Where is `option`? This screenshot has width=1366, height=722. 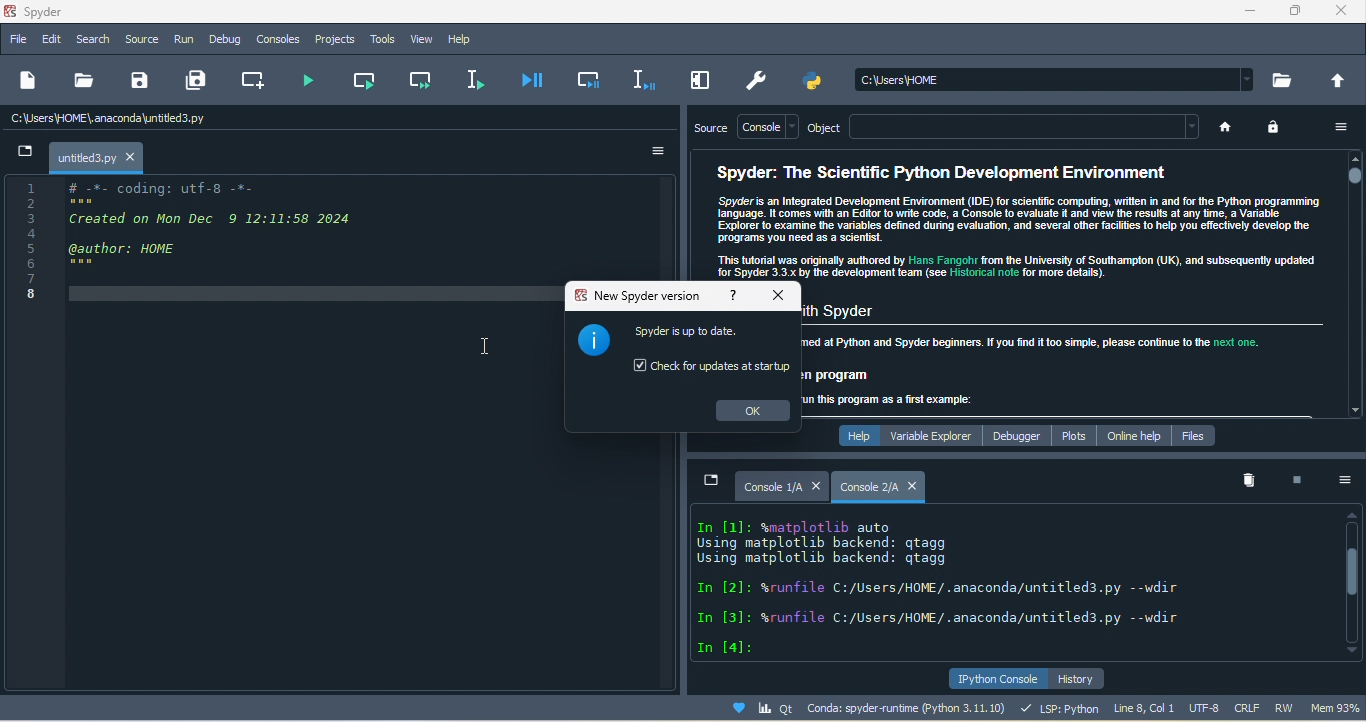
option is located at coordinates (652, 152).